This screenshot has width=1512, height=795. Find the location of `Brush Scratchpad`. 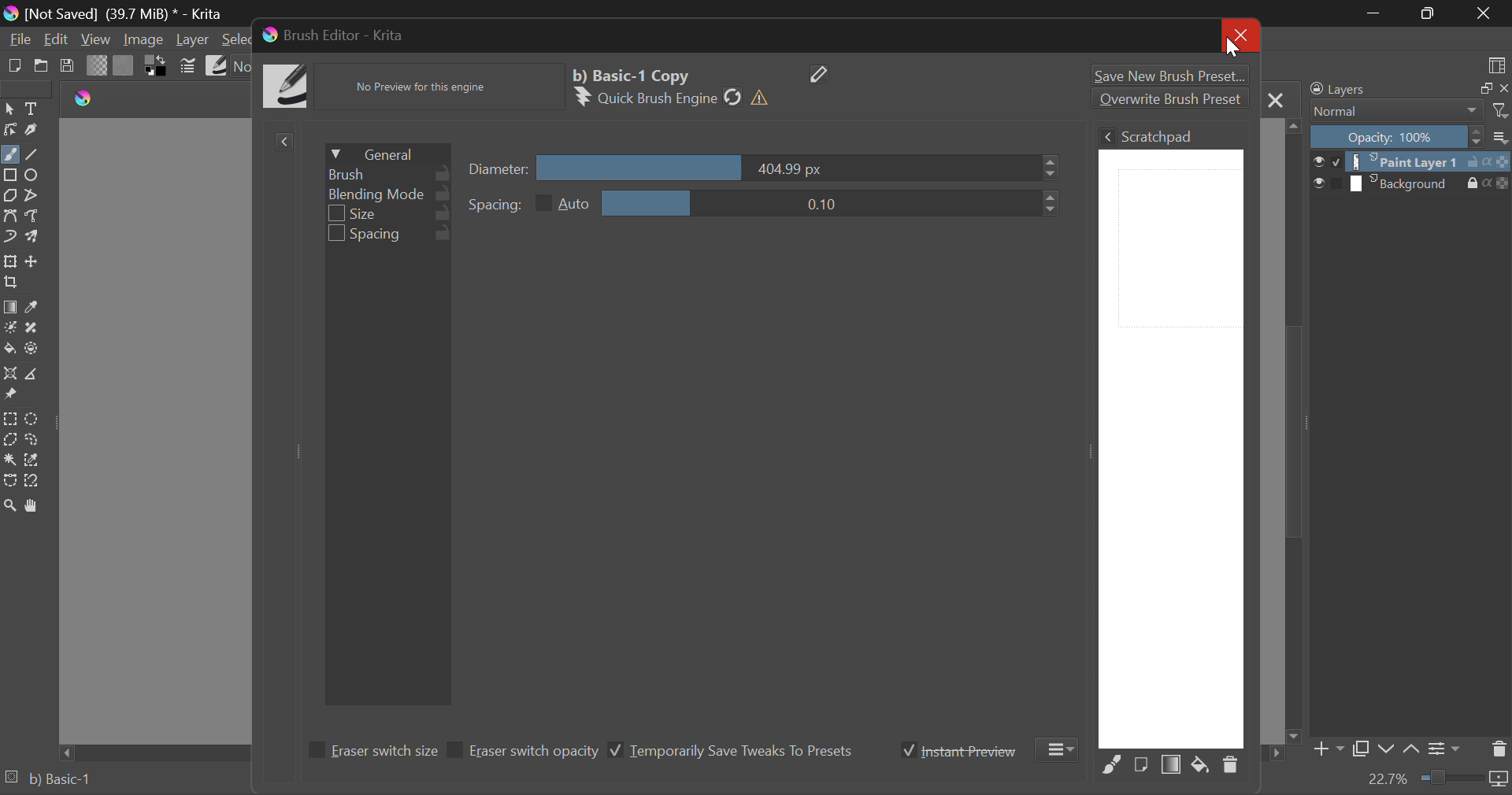

Brush Scratchpad is located at coordinates (1173, 433).